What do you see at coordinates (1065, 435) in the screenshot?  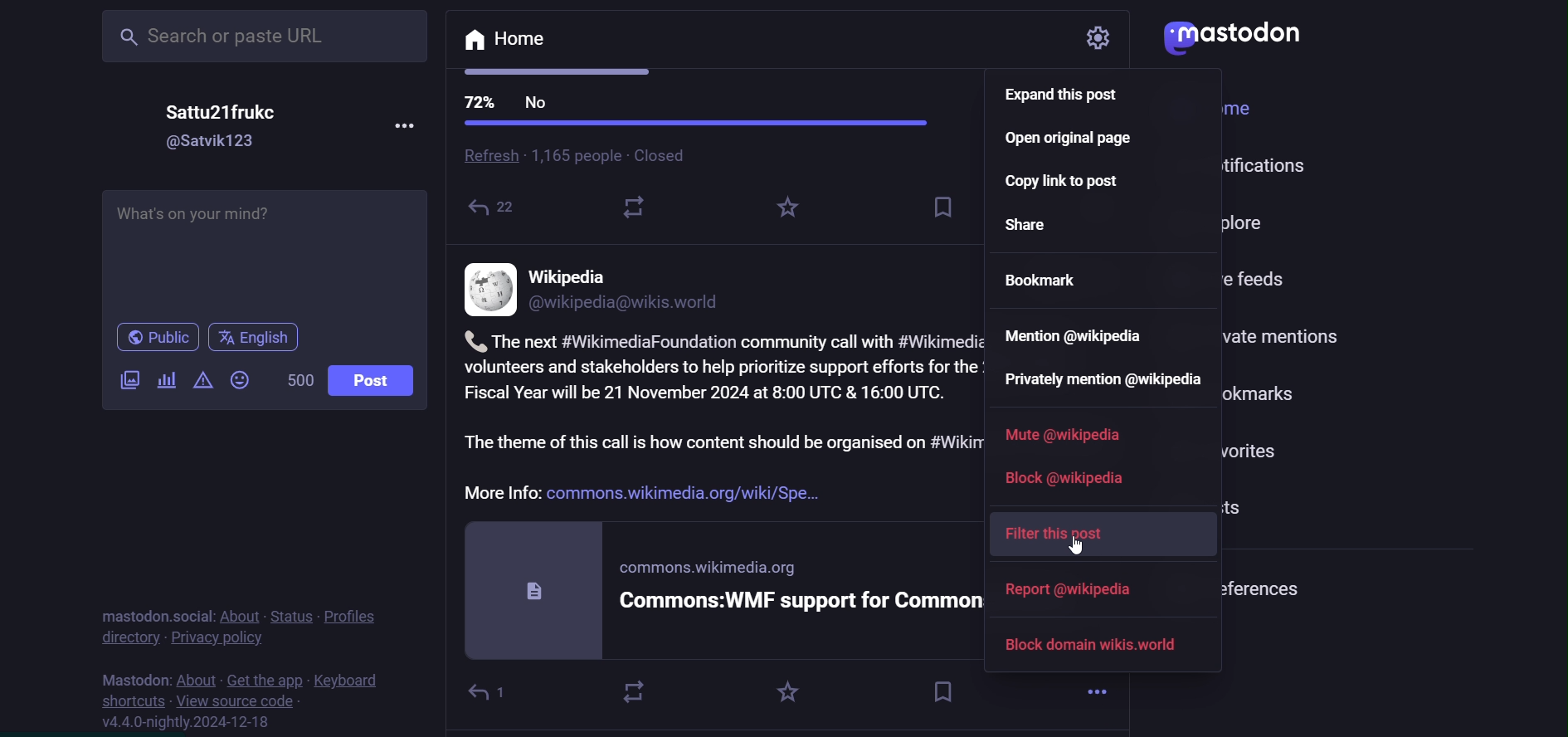 I see `mute` at bounding box center [1065, 435].